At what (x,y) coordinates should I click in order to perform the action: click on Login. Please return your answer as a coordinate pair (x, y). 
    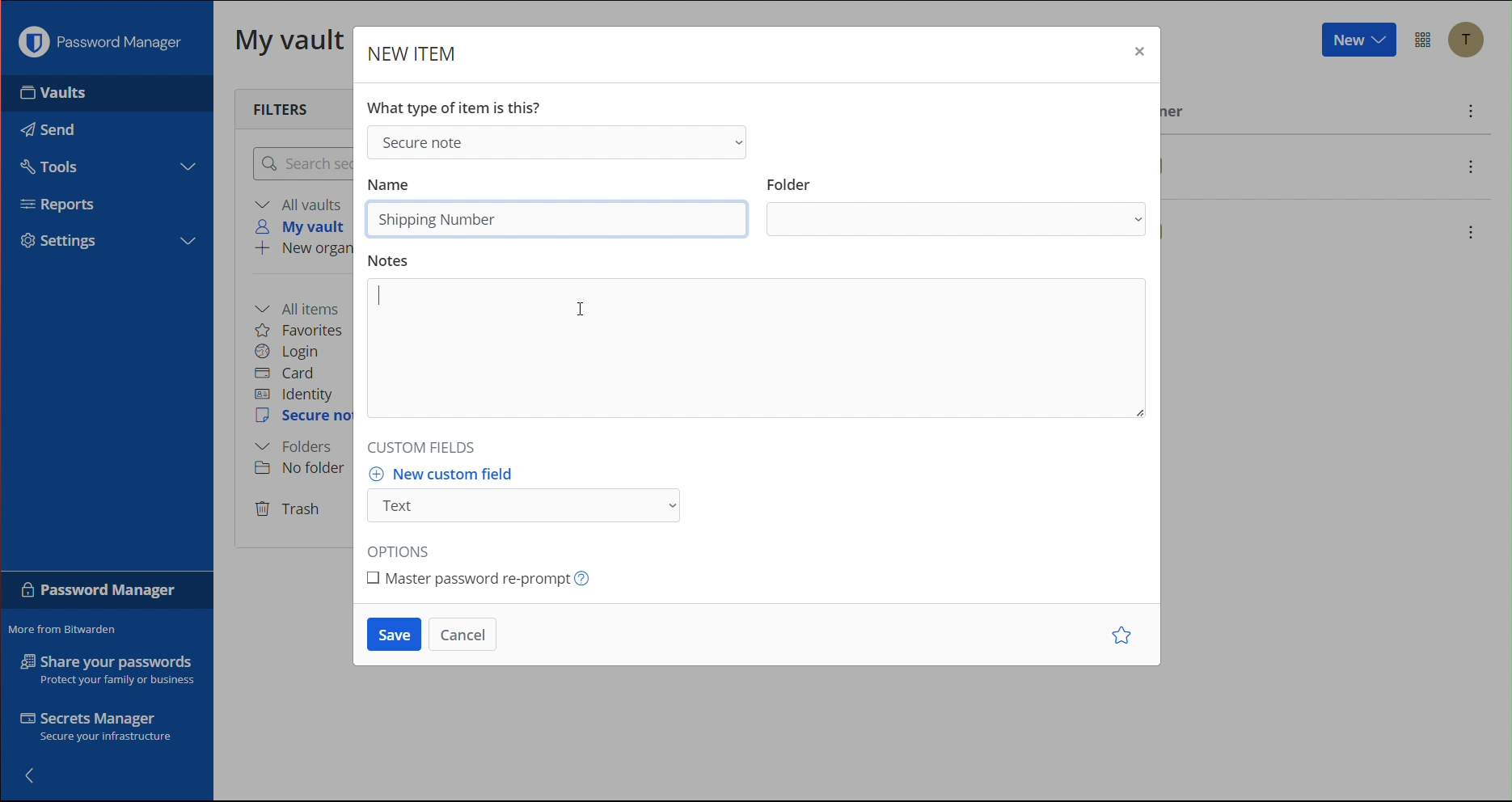
    Looking at the image, I should click on (291, 352).